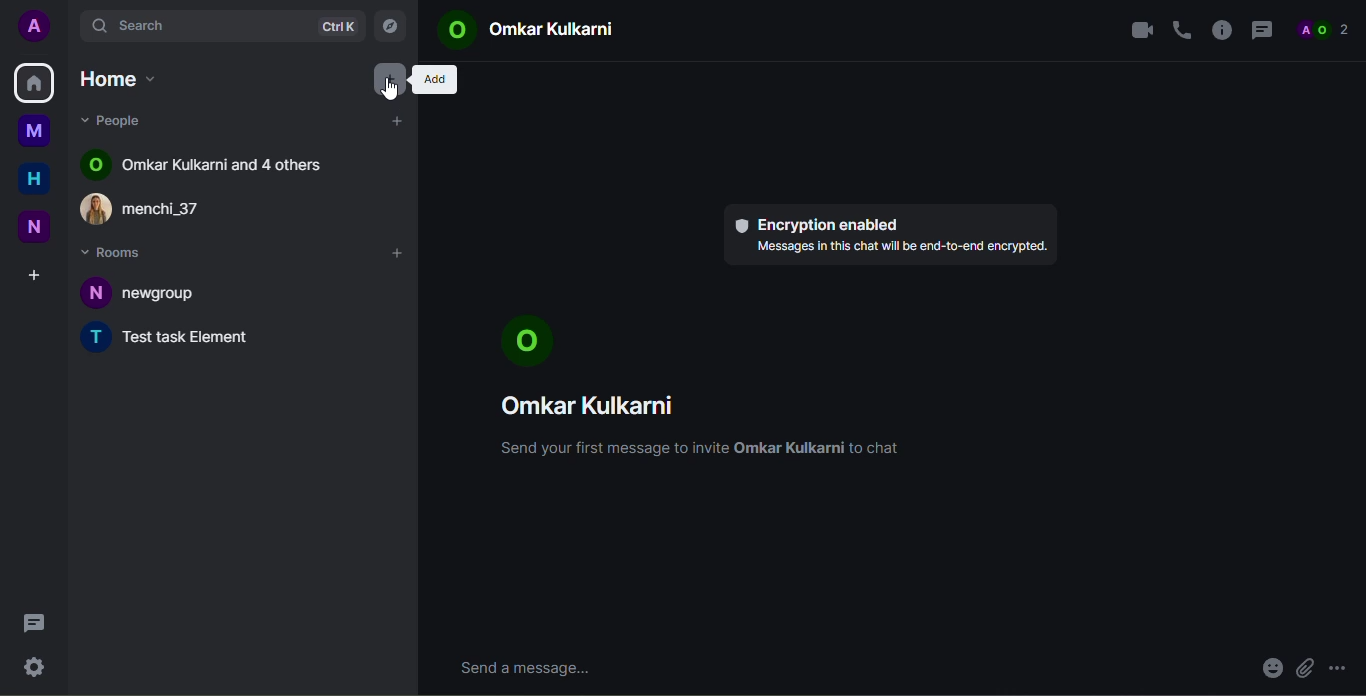 This screenshot has width=1366, height=696. I want to click on emoji, so click(1270, 670).